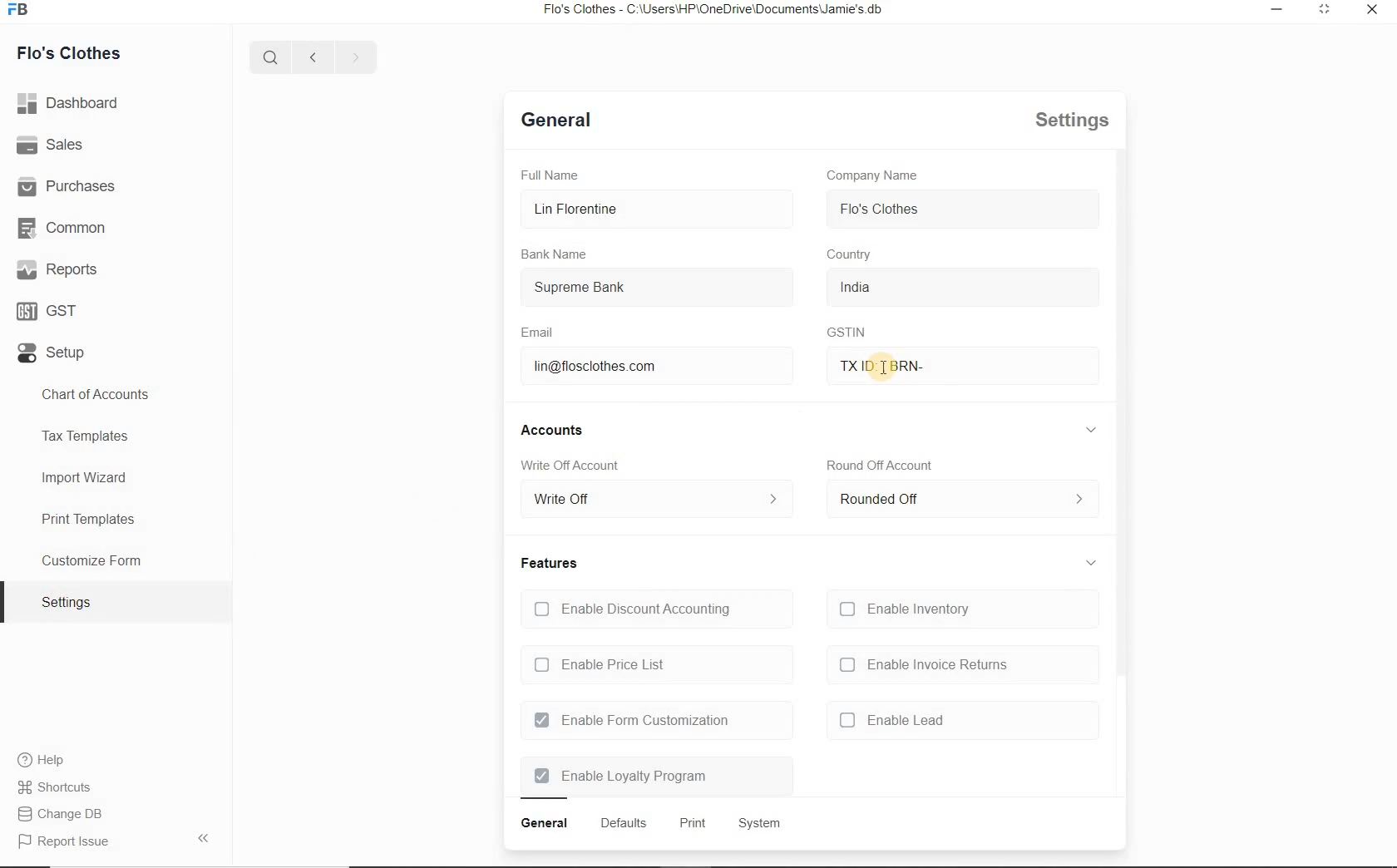  Describe the element at coordinates (75, 187) in the screenshot. I see `Purchases` at that location.